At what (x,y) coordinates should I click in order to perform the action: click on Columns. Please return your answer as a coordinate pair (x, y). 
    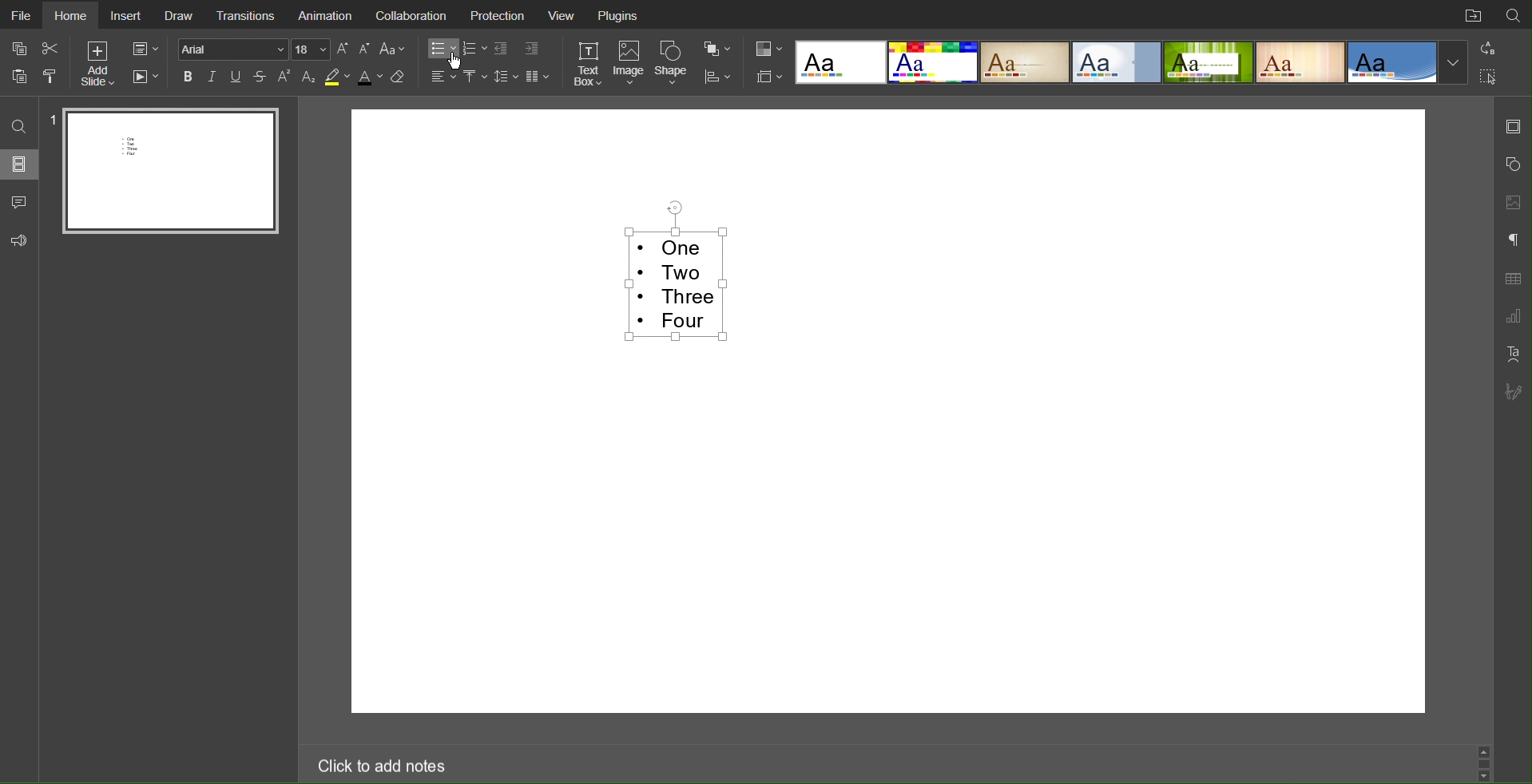
    Looking at the image, I should click on (538, 76).